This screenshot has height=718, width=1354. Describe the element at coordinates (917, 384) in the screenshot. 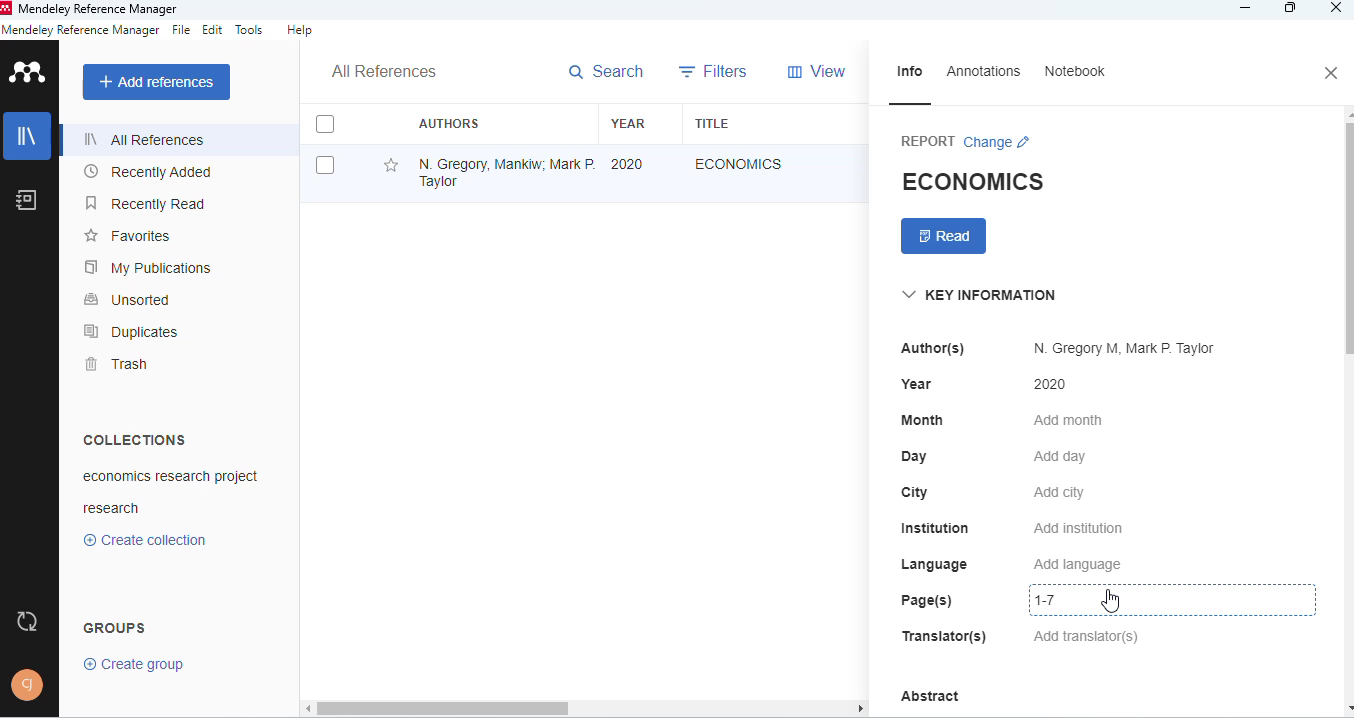

I see `year` at that location.